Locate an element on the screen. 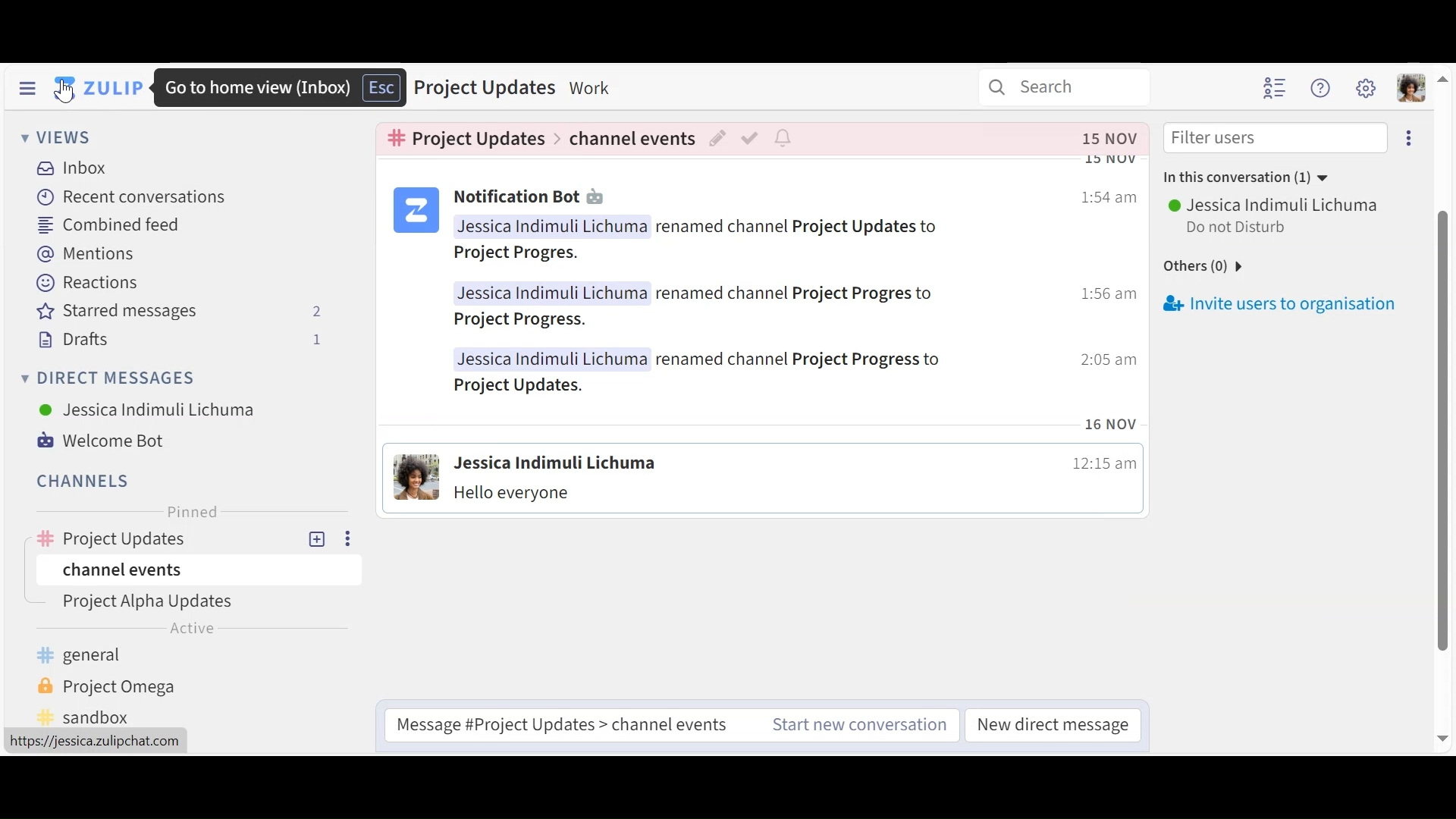  user is located at coordinates (556, 462).